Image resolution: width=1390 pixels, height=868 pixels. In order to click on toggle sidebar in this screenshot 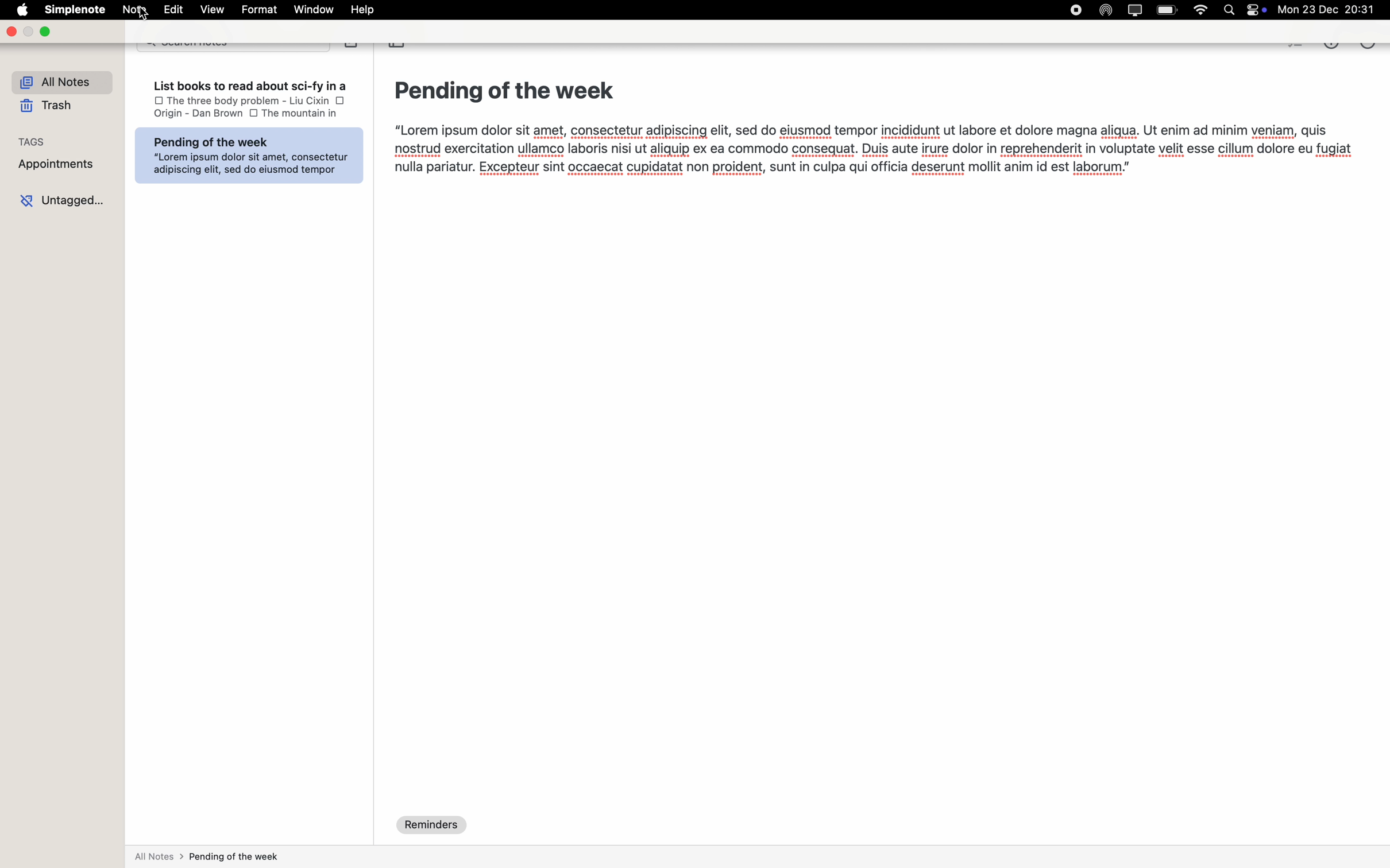, I will do `click(400, 48)`.